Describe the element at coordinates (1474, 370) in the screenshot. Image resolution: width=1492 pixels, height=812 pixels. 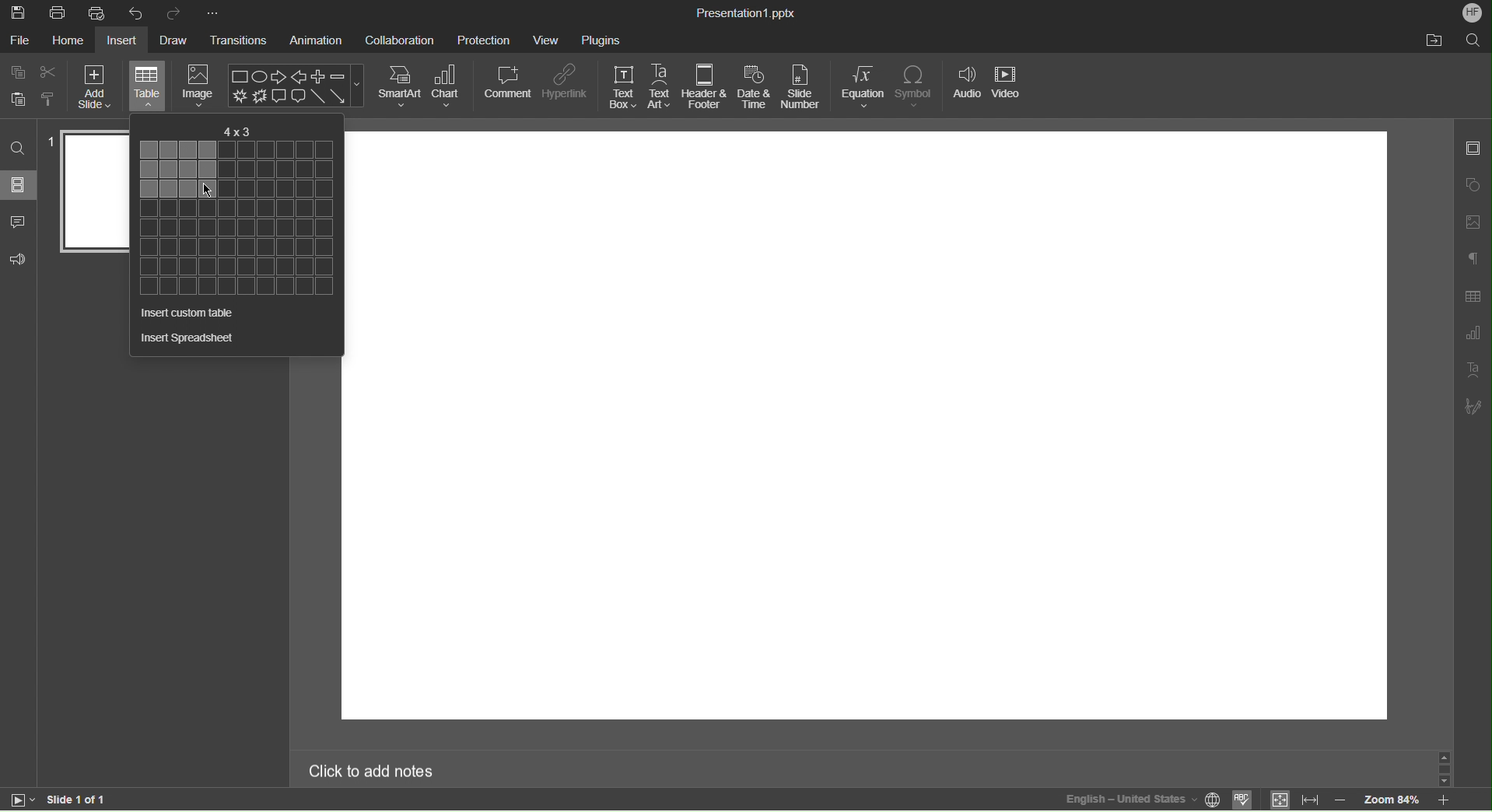
I see `Text Art` at that location.